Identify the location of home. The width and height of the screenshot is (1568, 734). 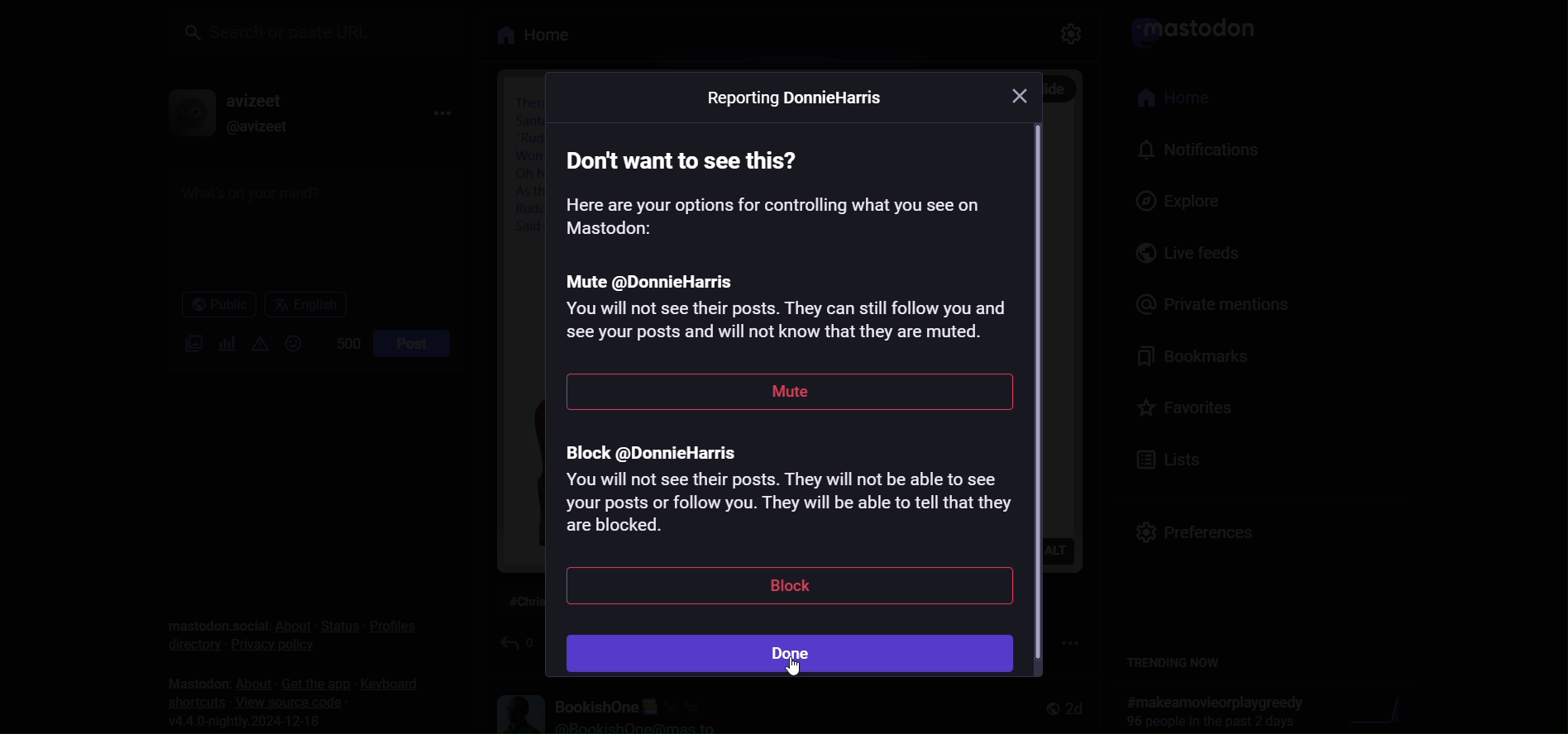
(1167, 98).